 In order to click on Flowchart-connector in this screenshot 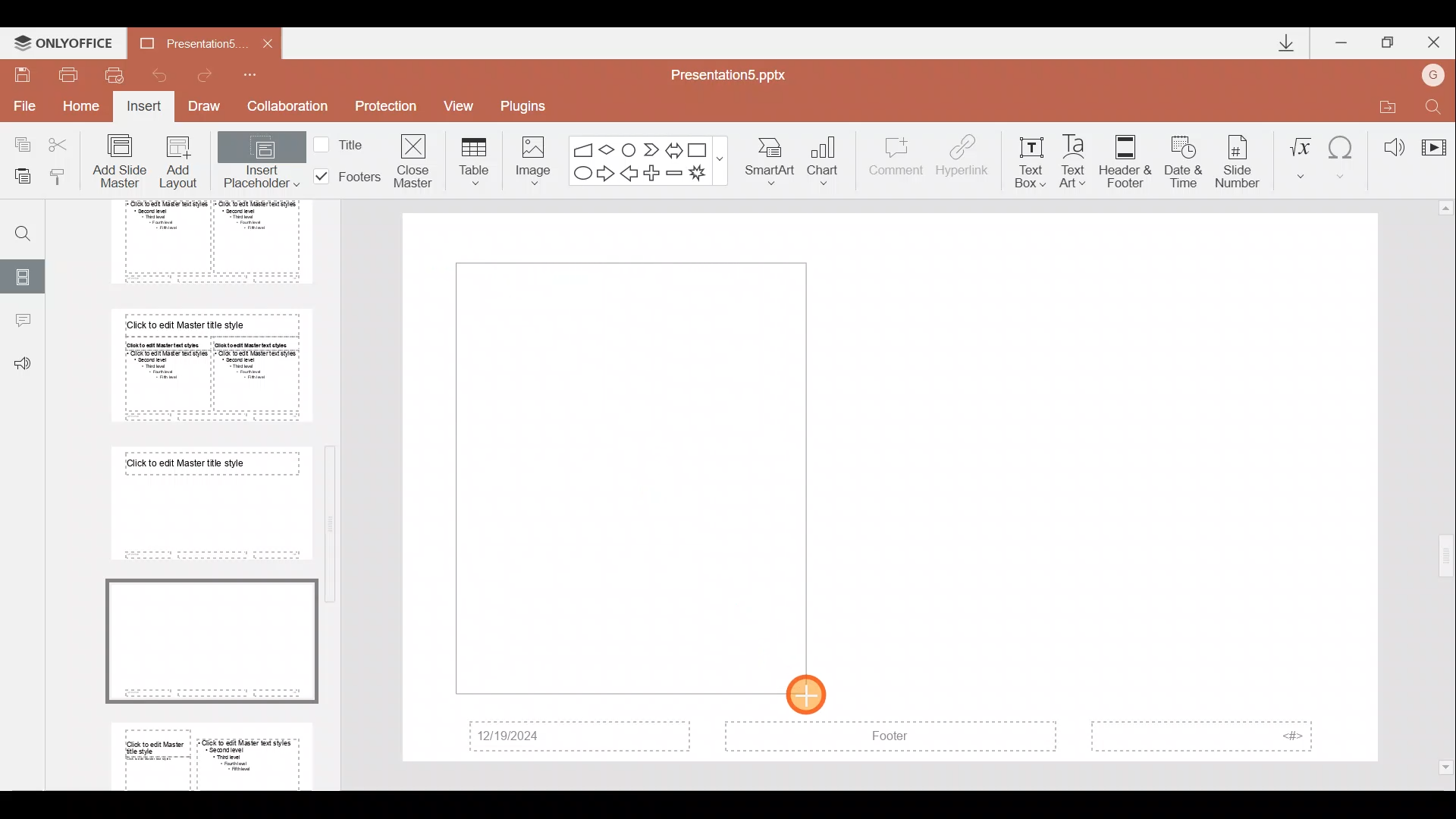, I will do `click(629, 146)`.